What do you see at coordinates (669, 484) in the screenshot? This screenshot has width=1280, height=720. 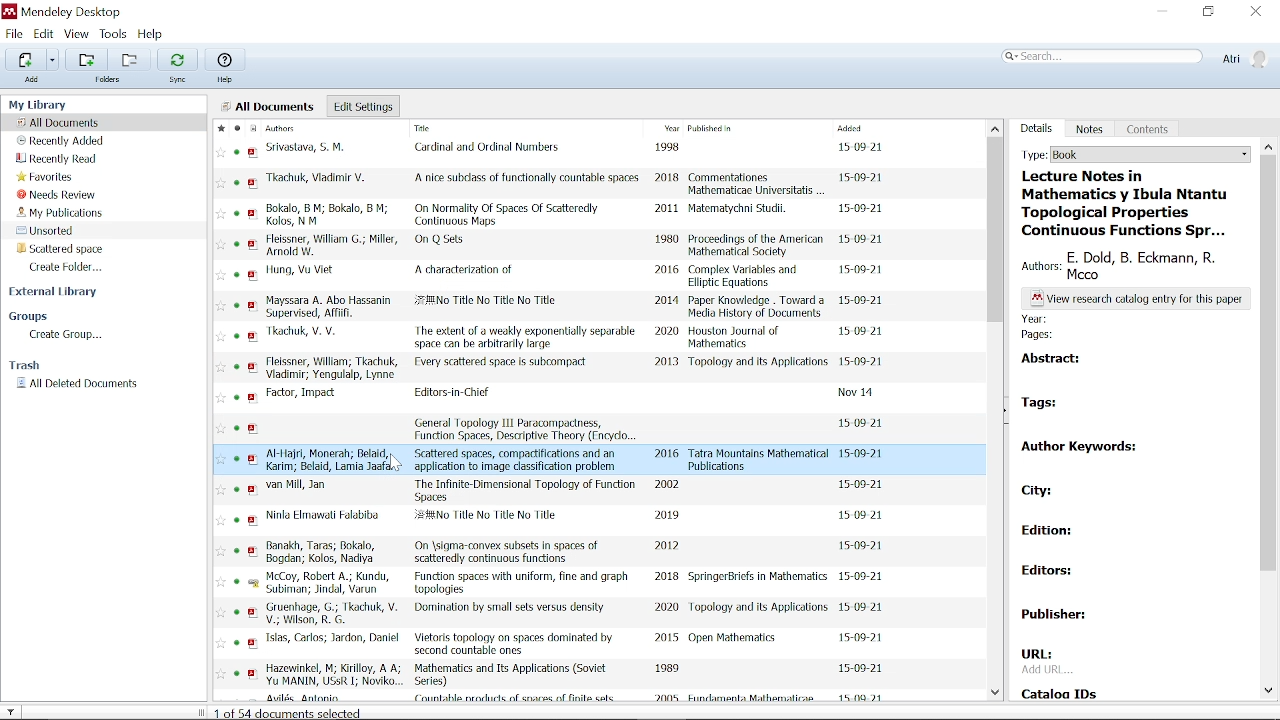 I see `2002` at bounding box center [669, 484].